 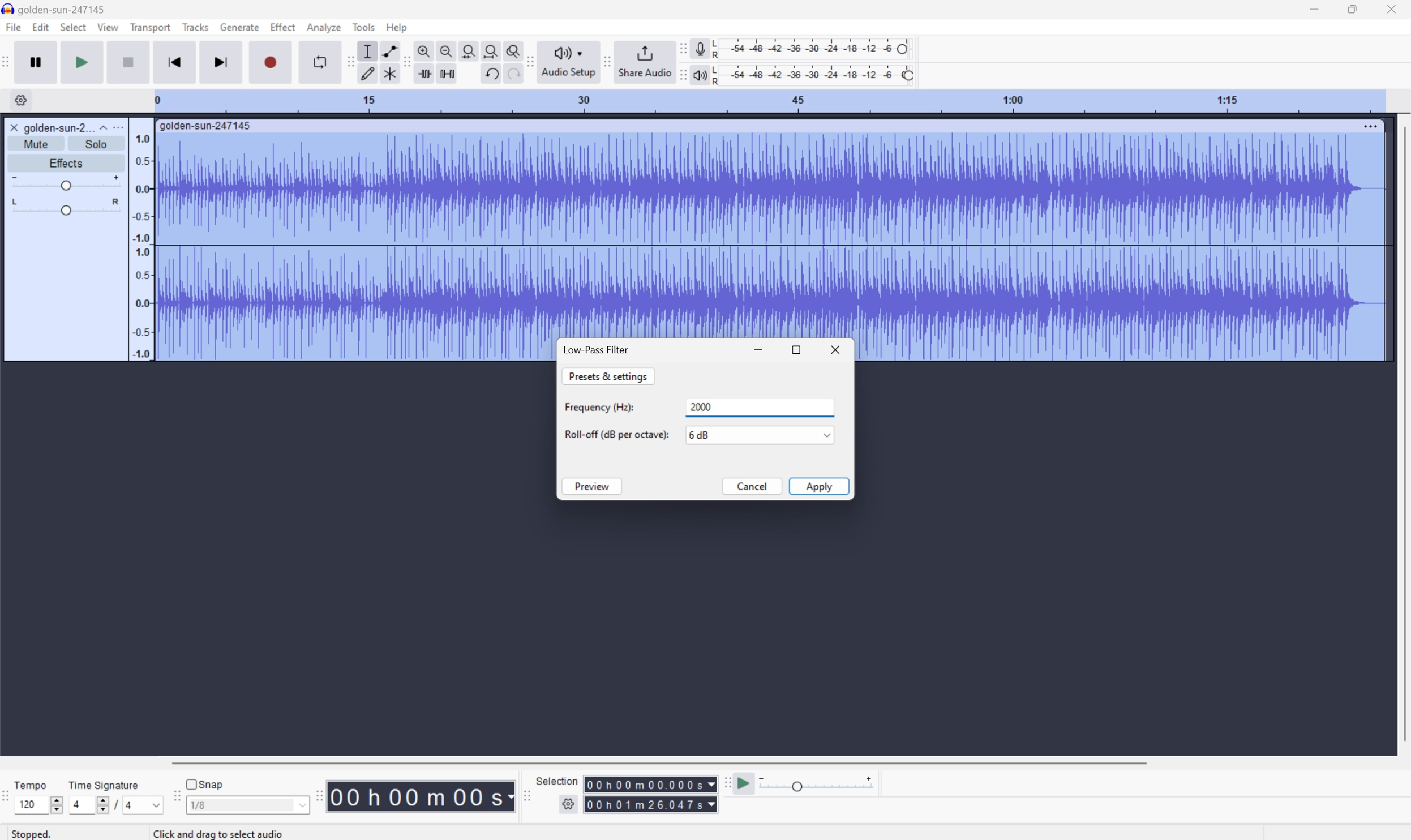 What do you see at coordinates (700, 48) in the screenshot?
I see `Record meter` at bounding box center [700, 48].